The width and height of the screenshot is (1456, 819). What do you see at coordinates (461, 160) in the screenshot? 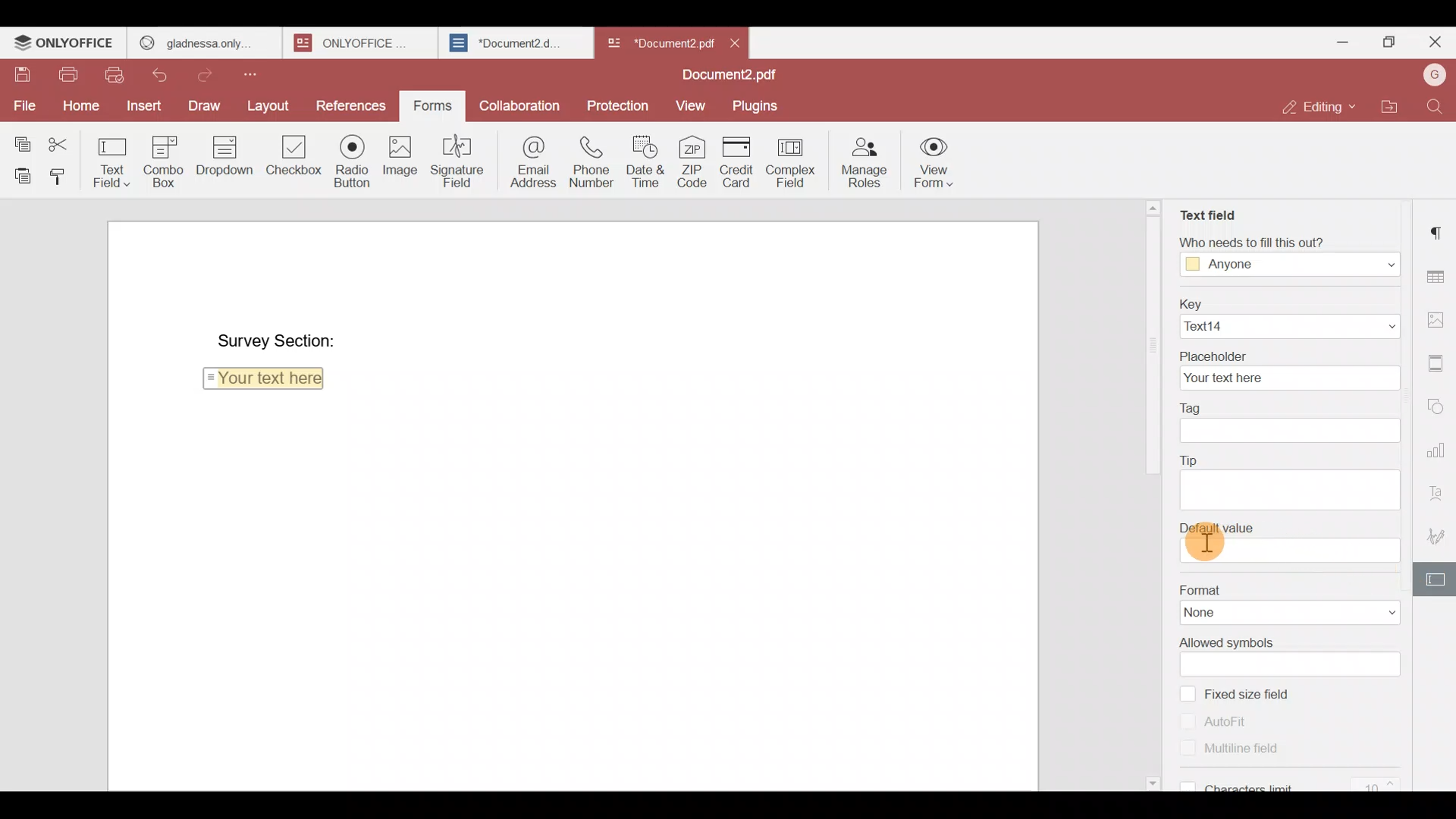
I see `Signature field` at bounding box center [461, 160].